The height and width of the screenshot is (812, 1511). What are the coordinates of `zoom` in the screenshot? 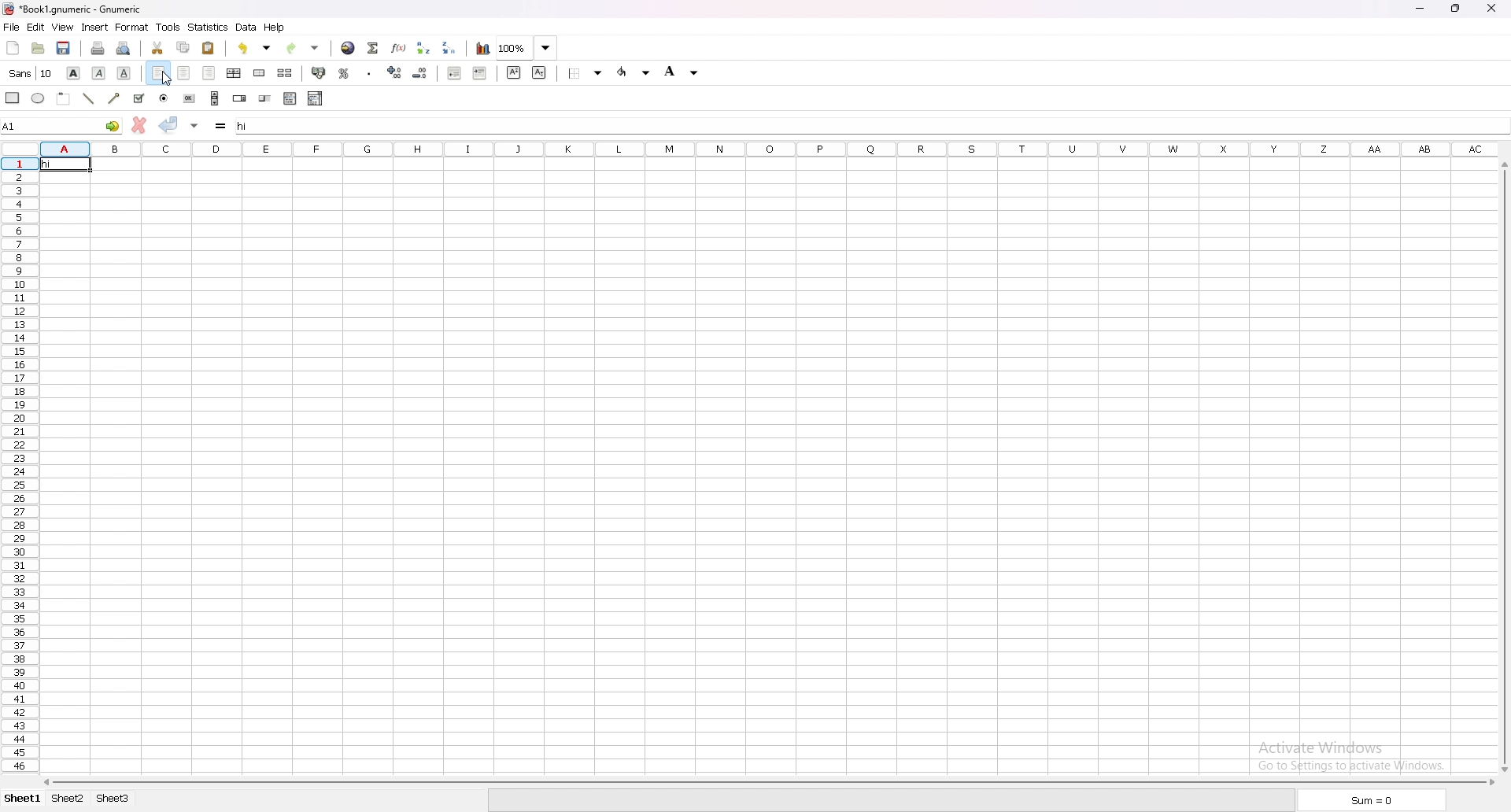 It's located at (529, 49).